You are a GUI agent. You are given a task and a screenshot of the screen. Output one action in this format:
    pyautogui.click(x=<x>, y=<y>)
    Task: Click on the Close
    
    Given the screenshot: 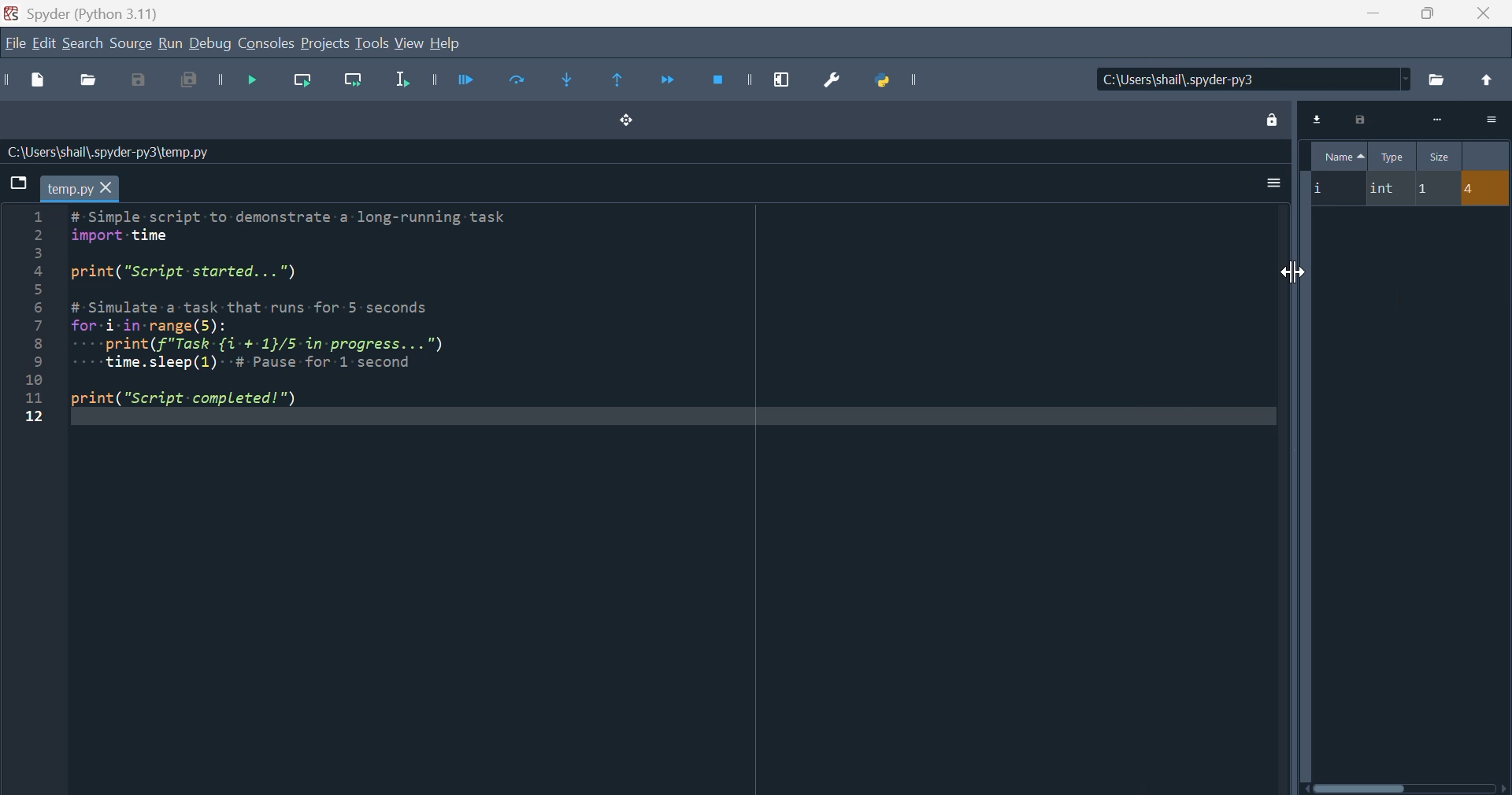 What is the action you would take?
    pyautogui.click(x=1480, y=14)
    